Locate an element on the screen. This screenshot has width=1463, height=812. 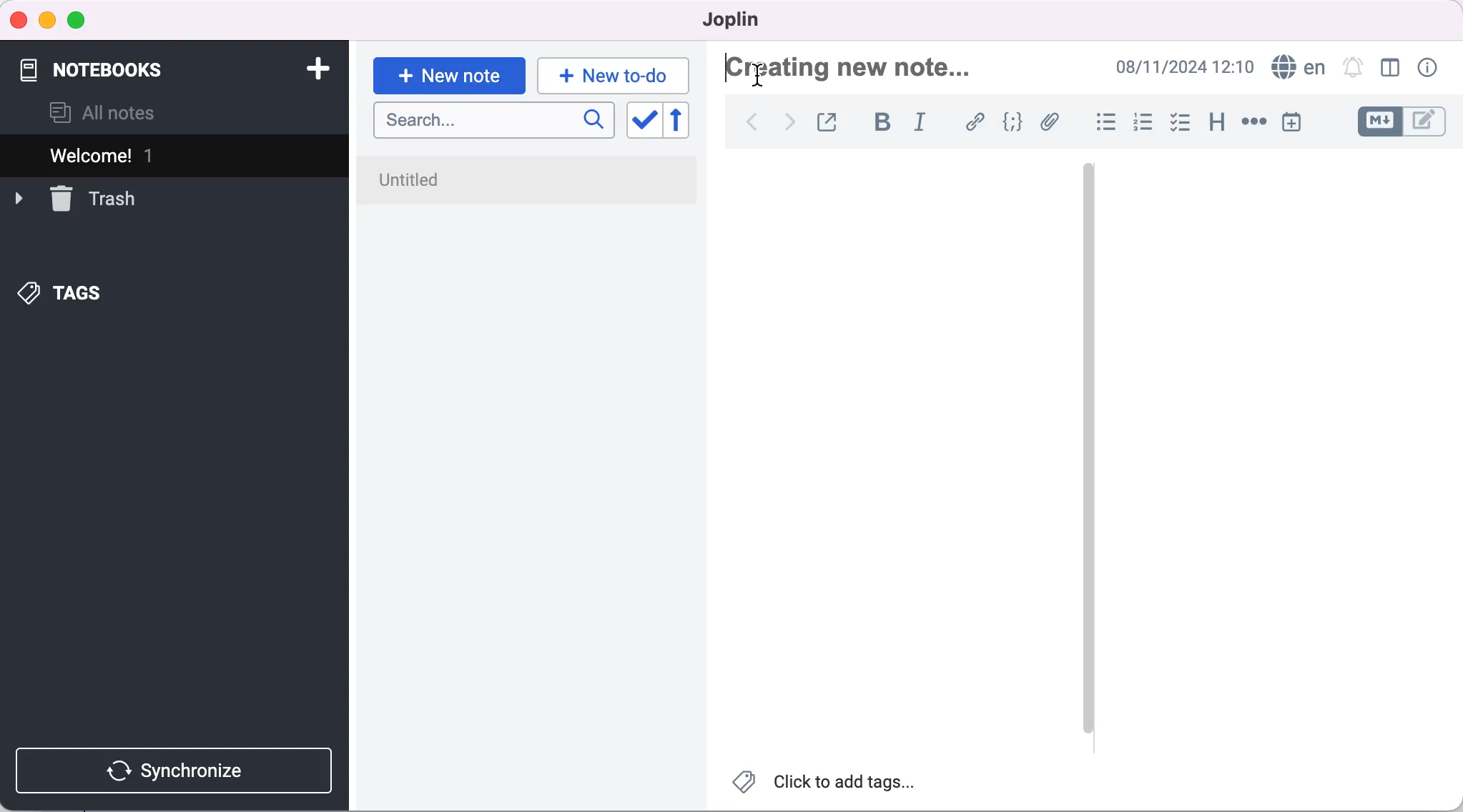
add notebook is located at coordinates (315, 67).